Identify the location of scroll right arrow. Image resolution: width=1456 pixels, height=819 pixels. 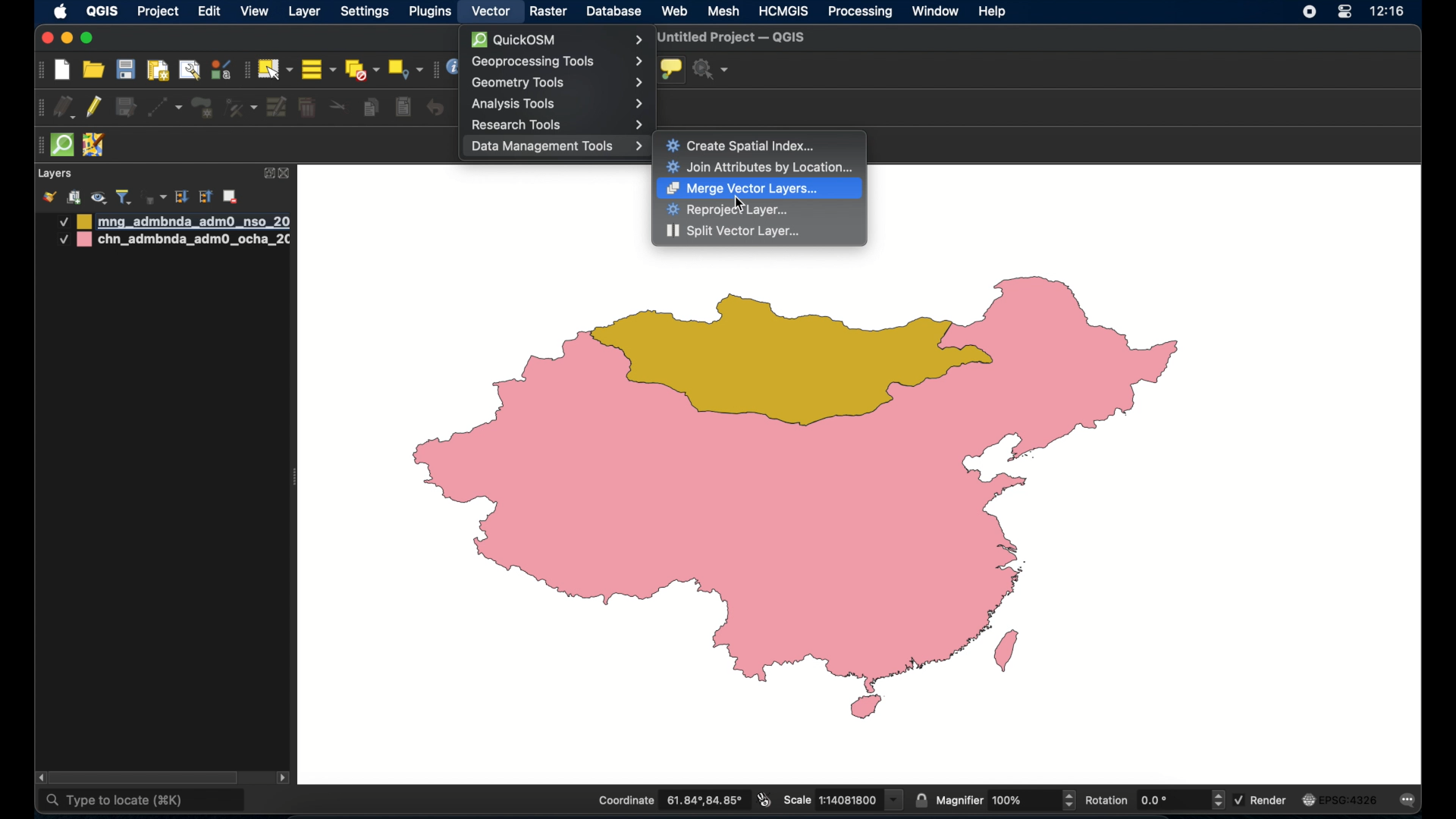
(284, 780).